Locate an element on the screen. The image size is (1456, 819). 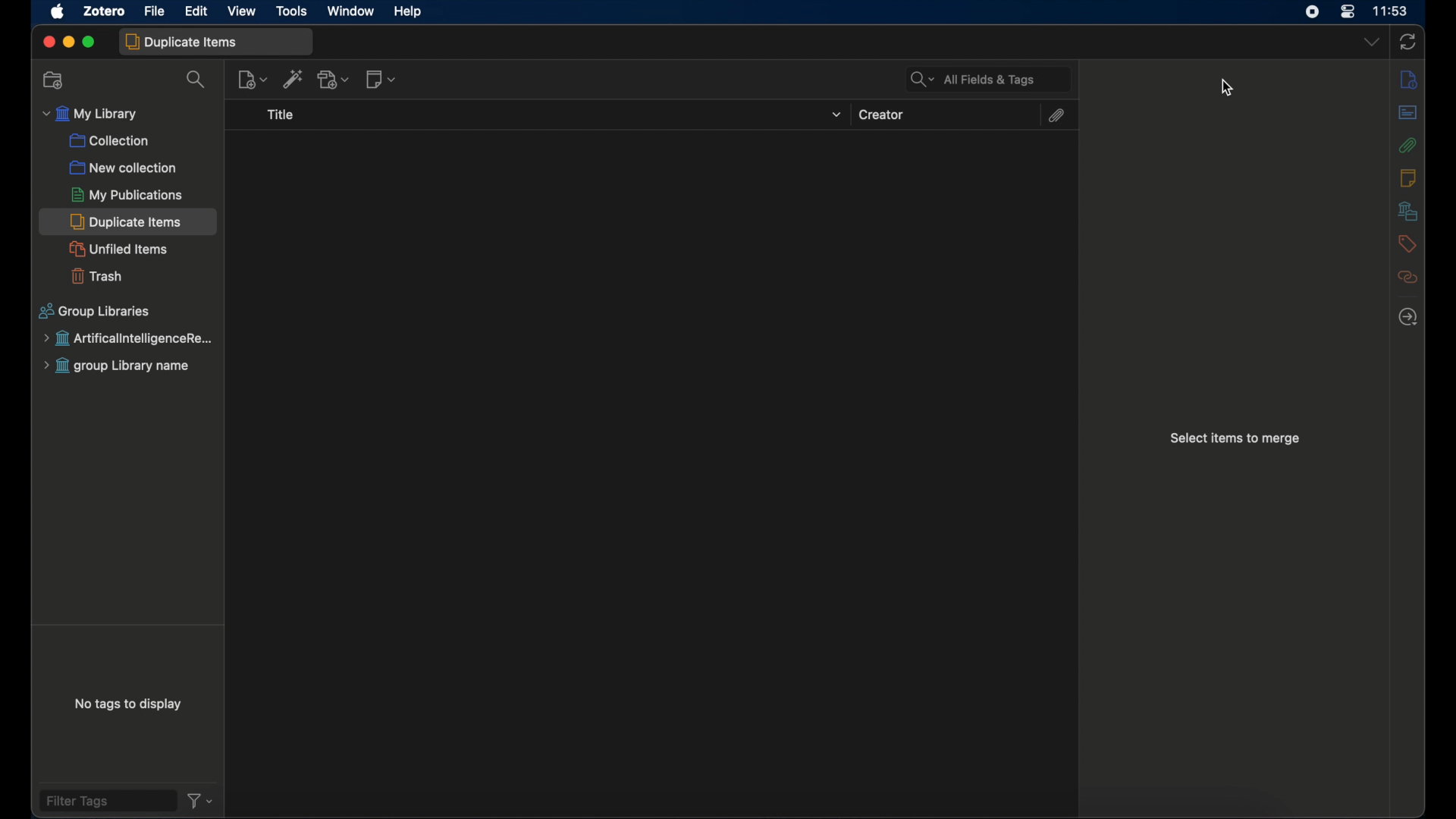
Creator is located at coordinates (888, 114).